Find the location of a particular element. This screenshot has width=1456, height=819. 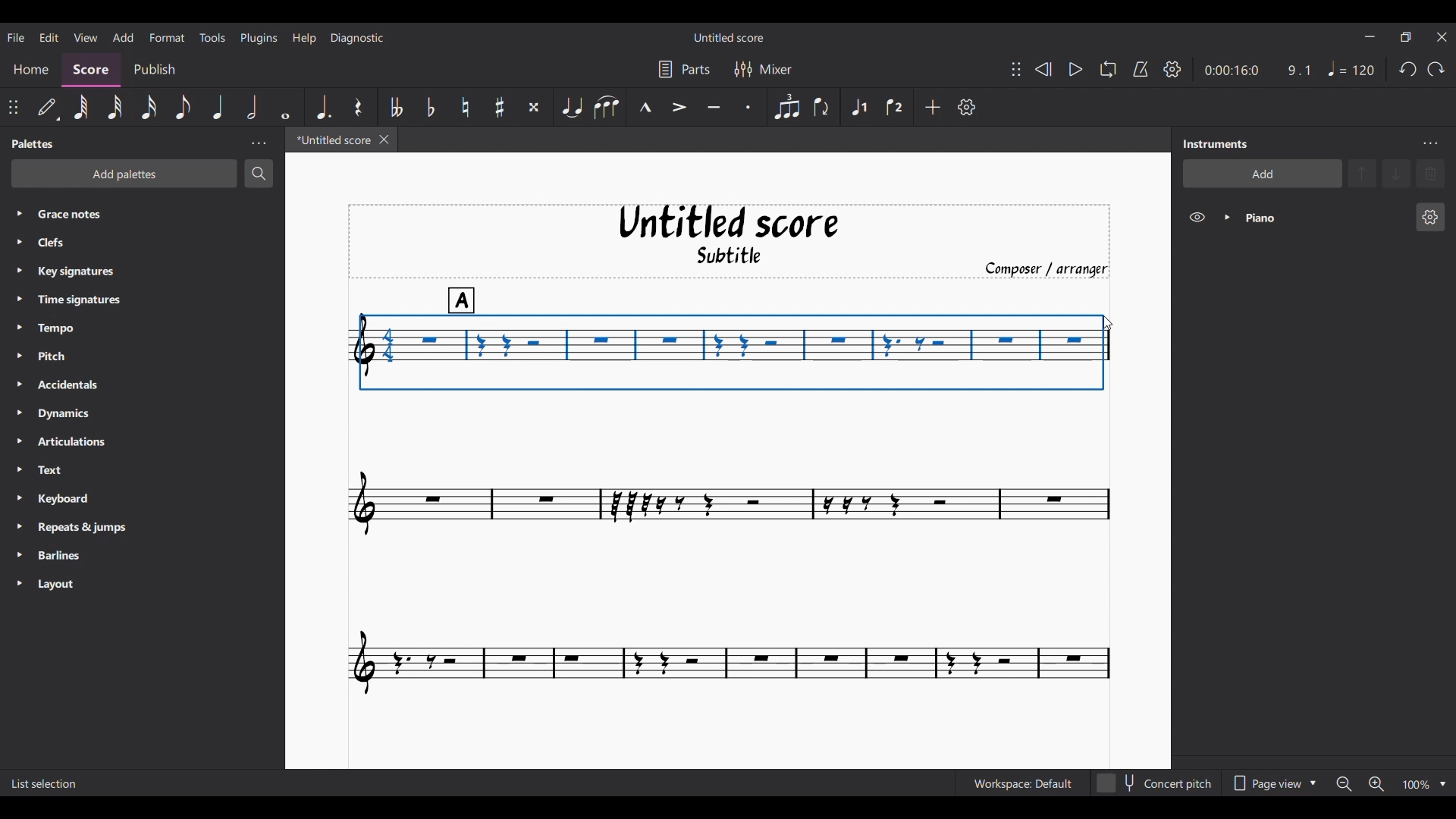

Parts is located at coordinates (684, 69).